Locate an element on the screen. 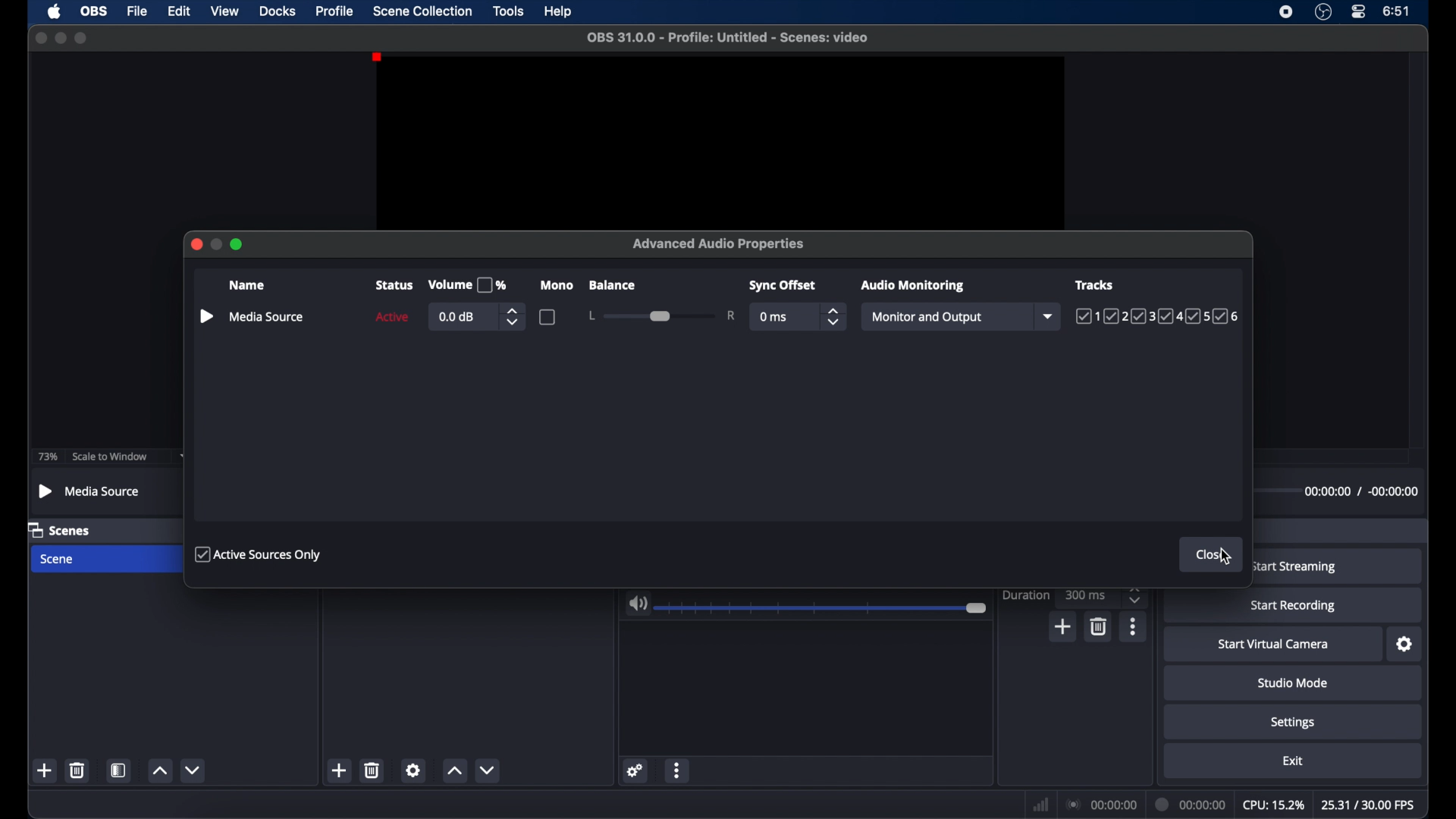 This screenshot has height=819, width=1456. settings is located at coordinates (1405, 645).